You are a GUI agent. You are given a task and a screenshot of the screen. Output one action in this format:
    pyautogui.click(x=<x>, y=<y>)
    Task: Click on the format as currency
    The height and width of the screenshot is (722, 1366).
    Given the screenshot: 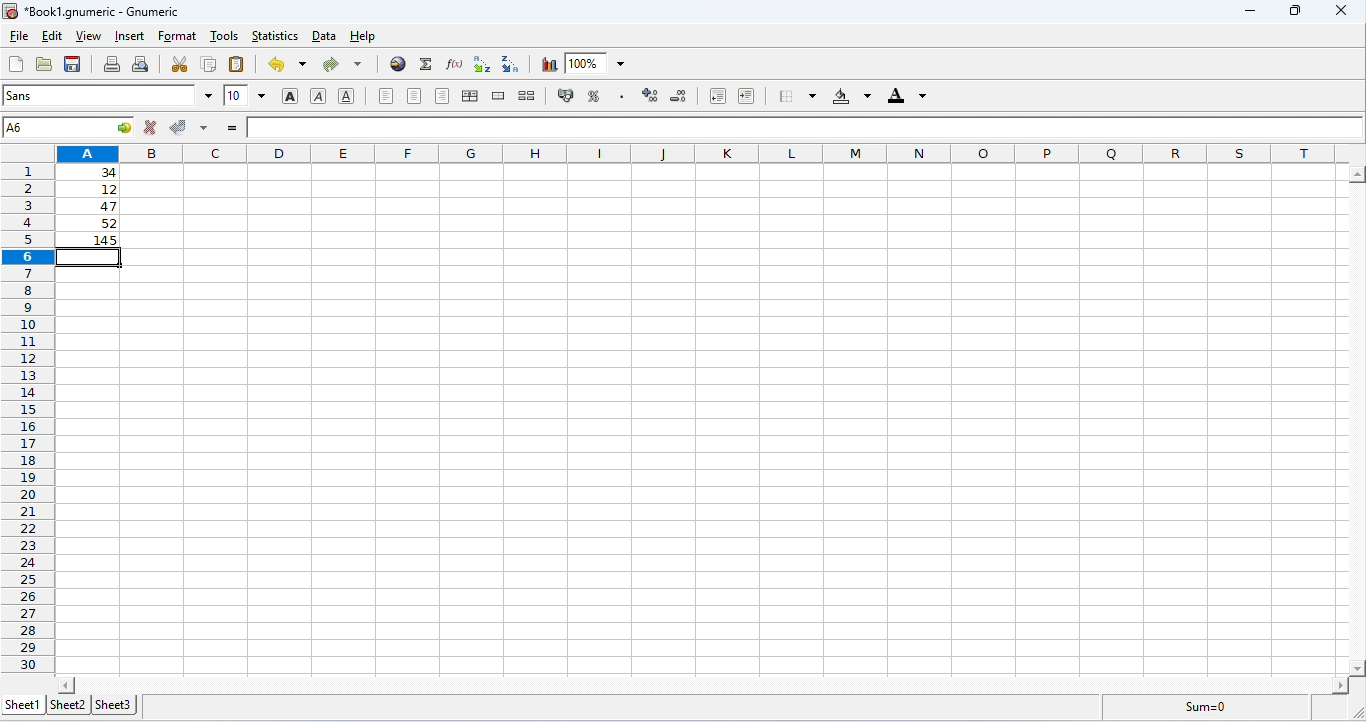 What is the action you would take?
    pyautogui.click(x=567, y=94)
    